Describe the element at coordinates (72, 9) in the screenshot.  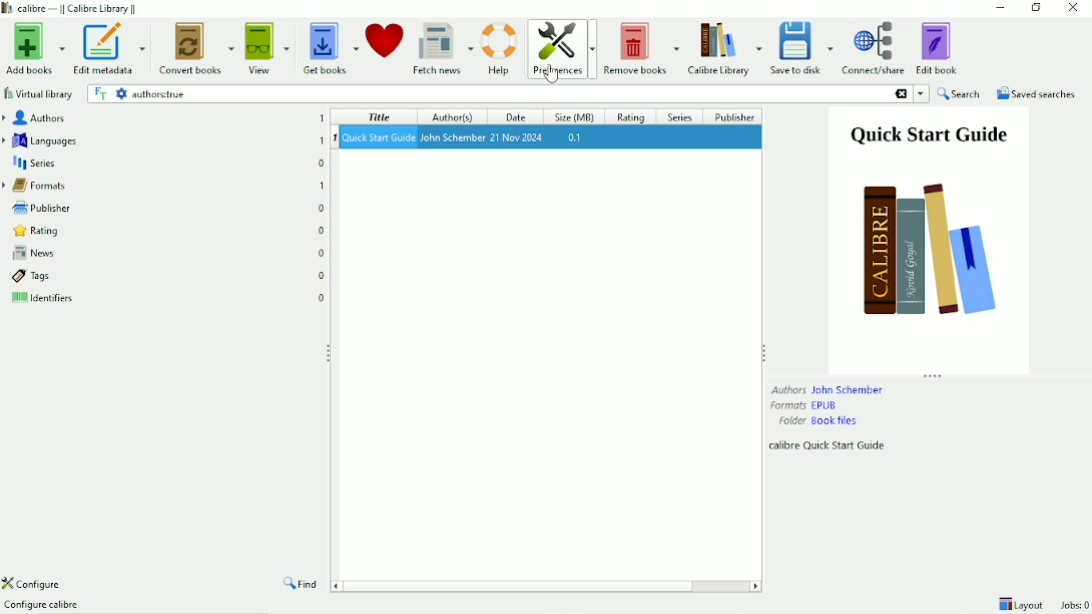
I see `Calibre Library` at that location.